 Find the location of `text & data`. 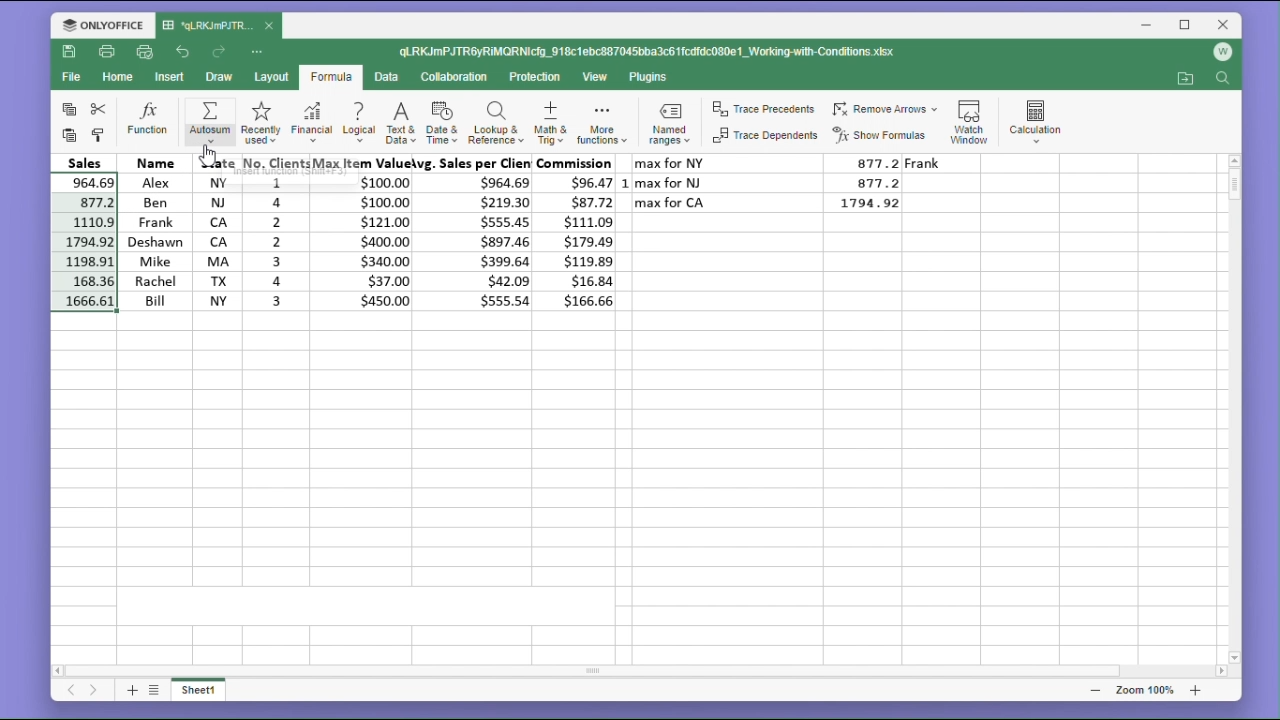

text & data is located at coordinates (399, 122).